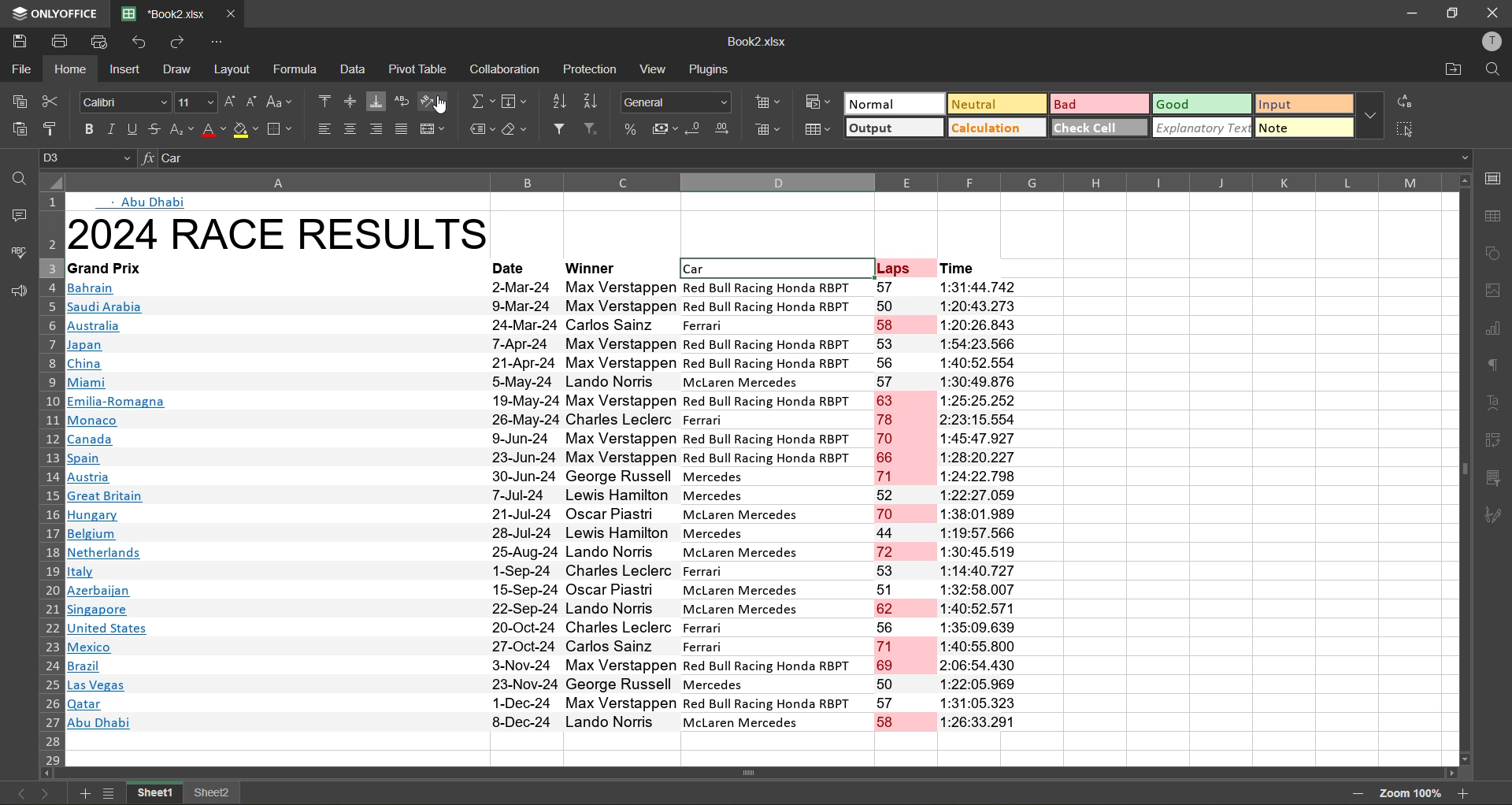  What do you see at coordinates (323, 128) in the screenshot?
I see `align left` at bounding box center [323, 128].